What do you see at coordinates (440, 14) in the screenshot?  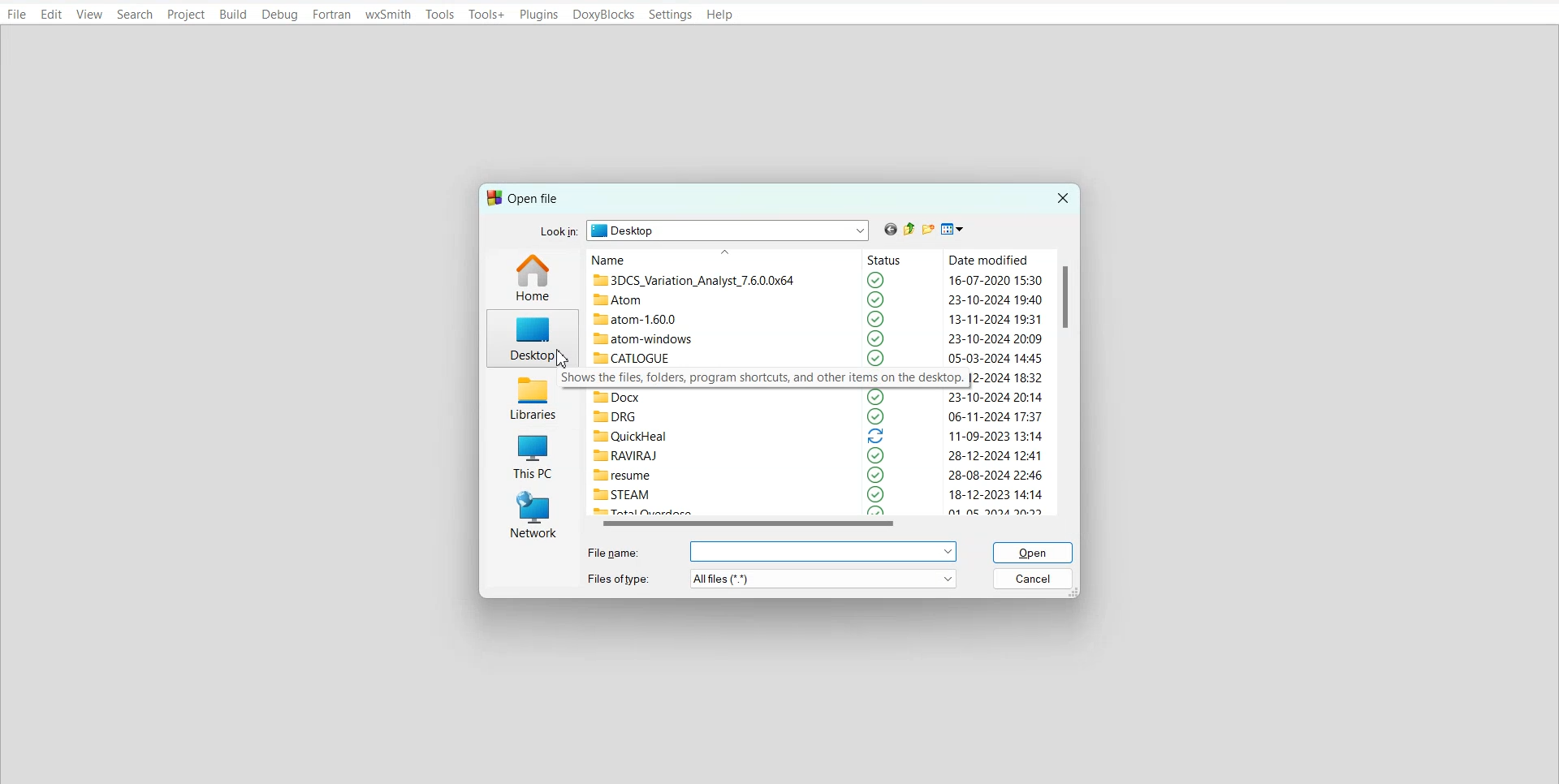 I see `Tools` at bounding box center [440, 14].